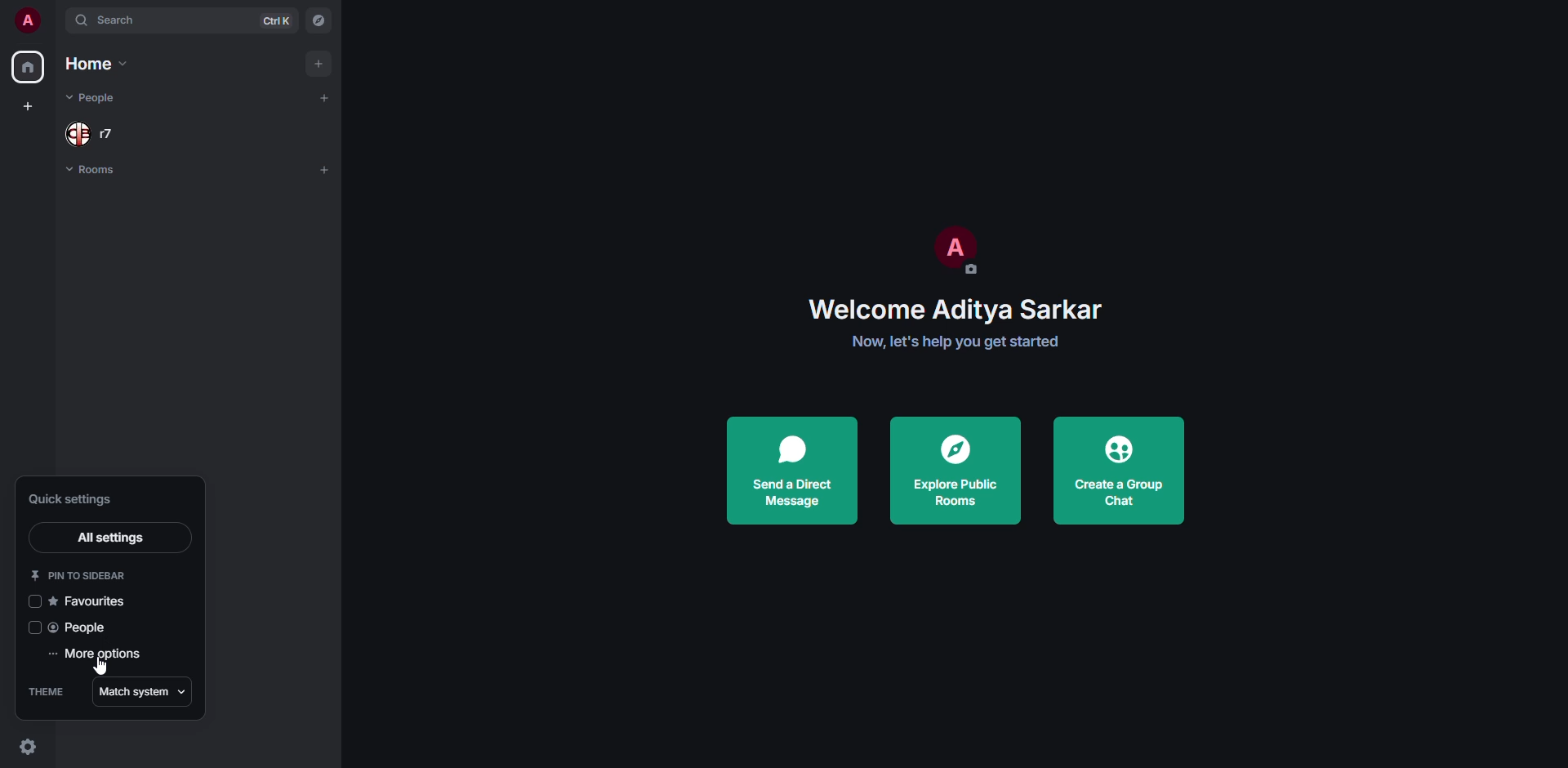  I want to click on people, so click(95, 97).